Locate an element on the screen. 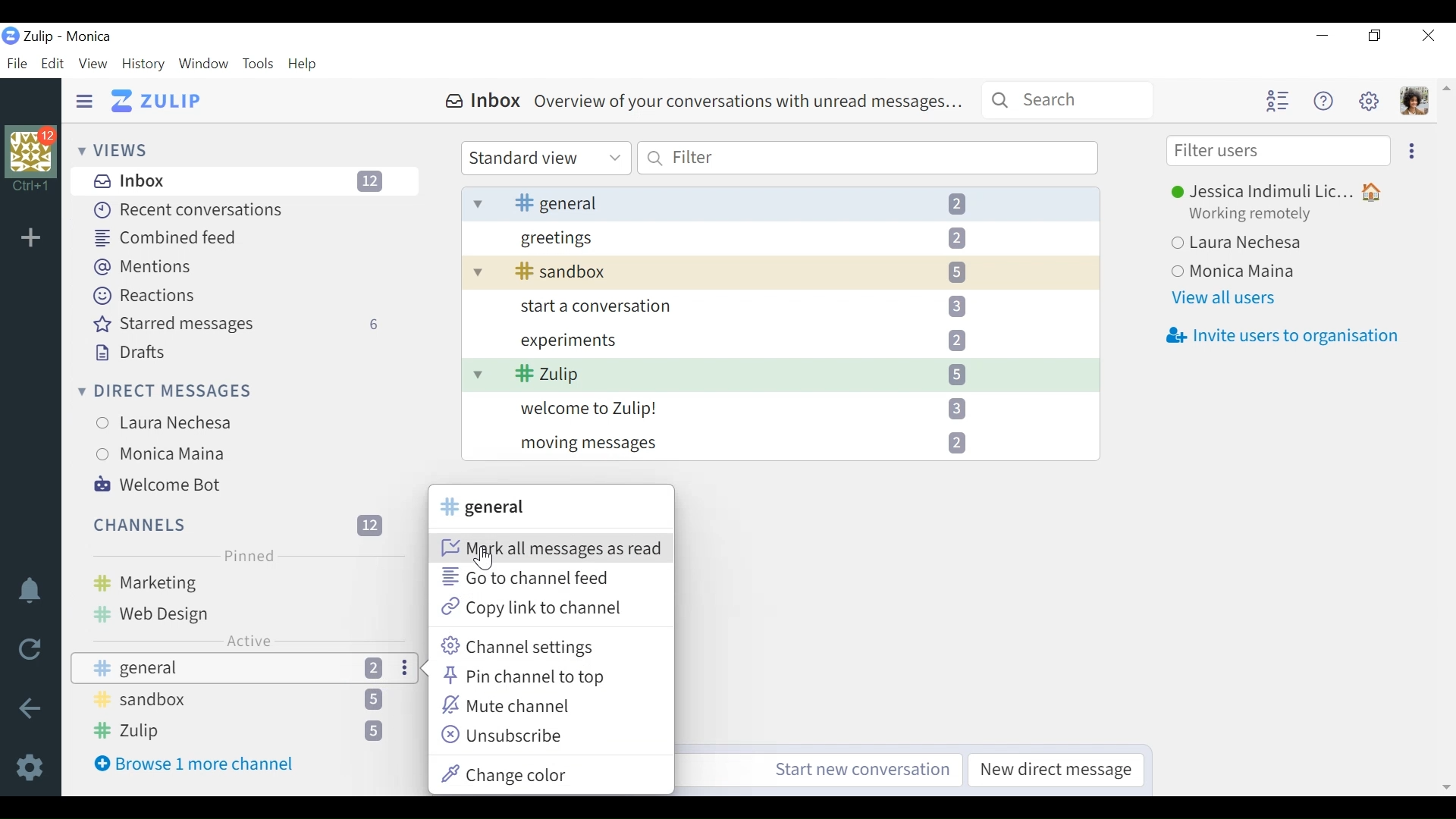 Image resolution: width=1456 pixels, height=819 pixels. Help  is located at coordinates (1320, 100).